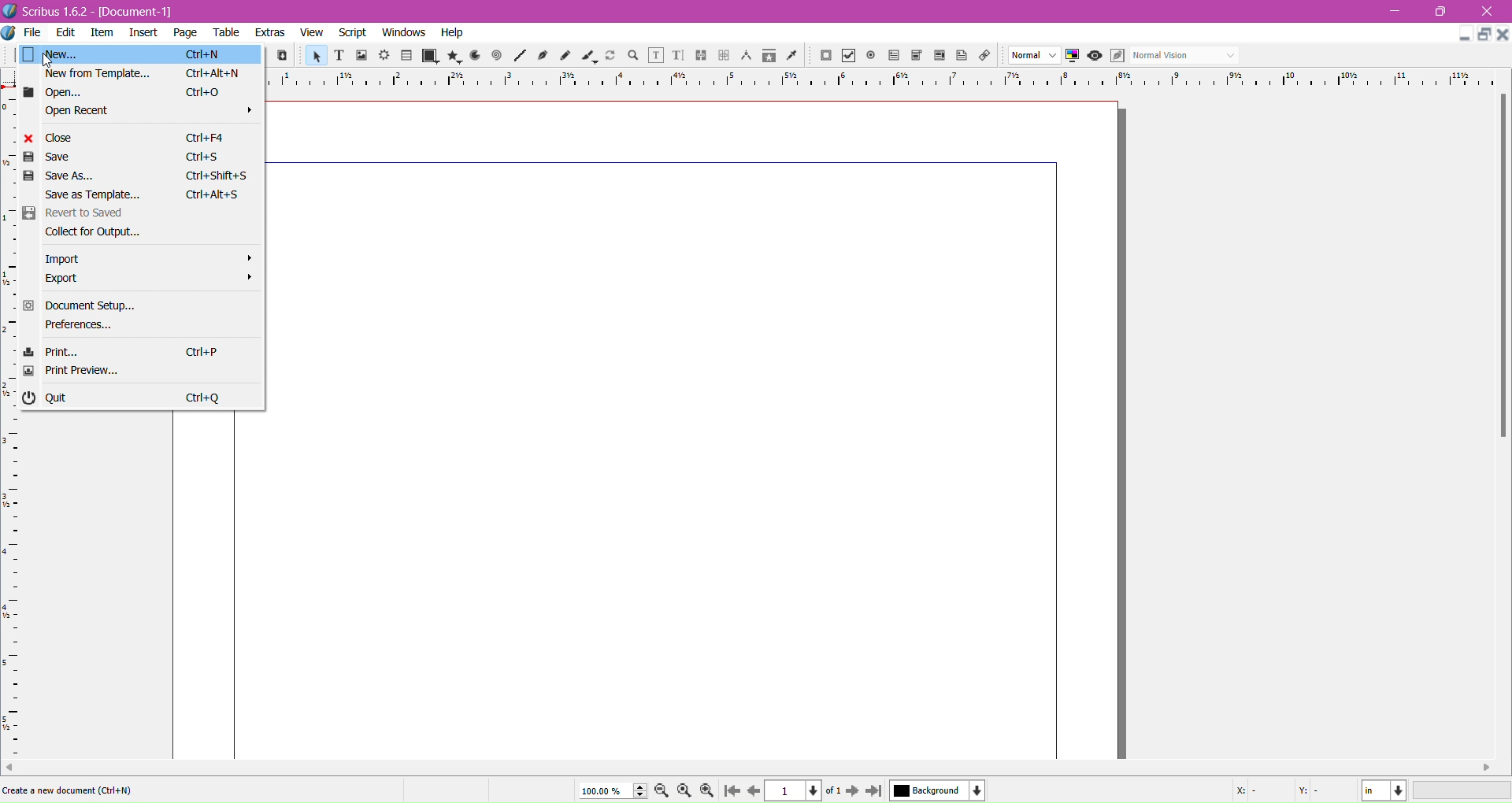  I want to click on icon, so click(869, 54).